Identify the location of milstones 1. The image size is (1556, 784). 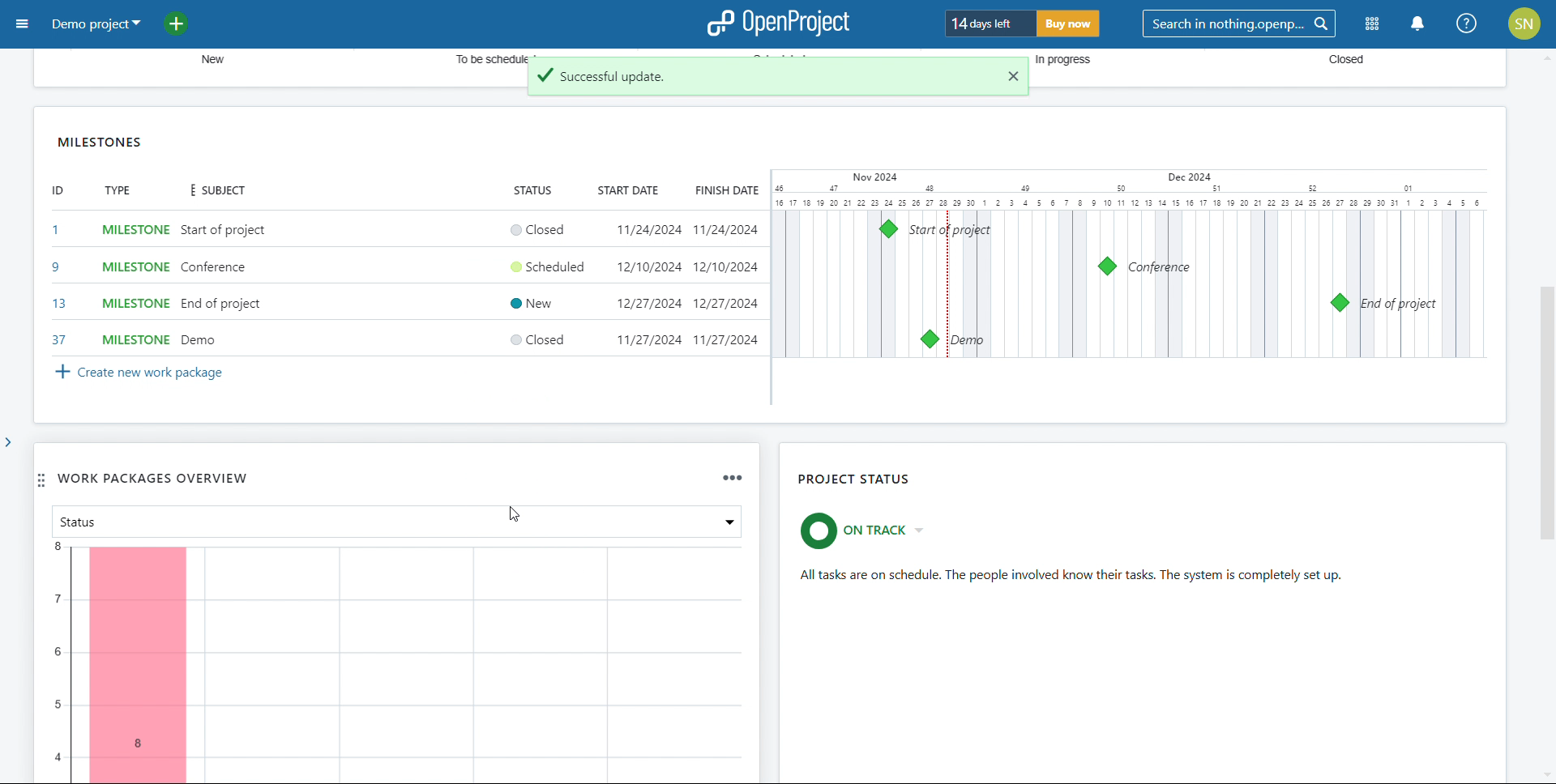
(889, 228).